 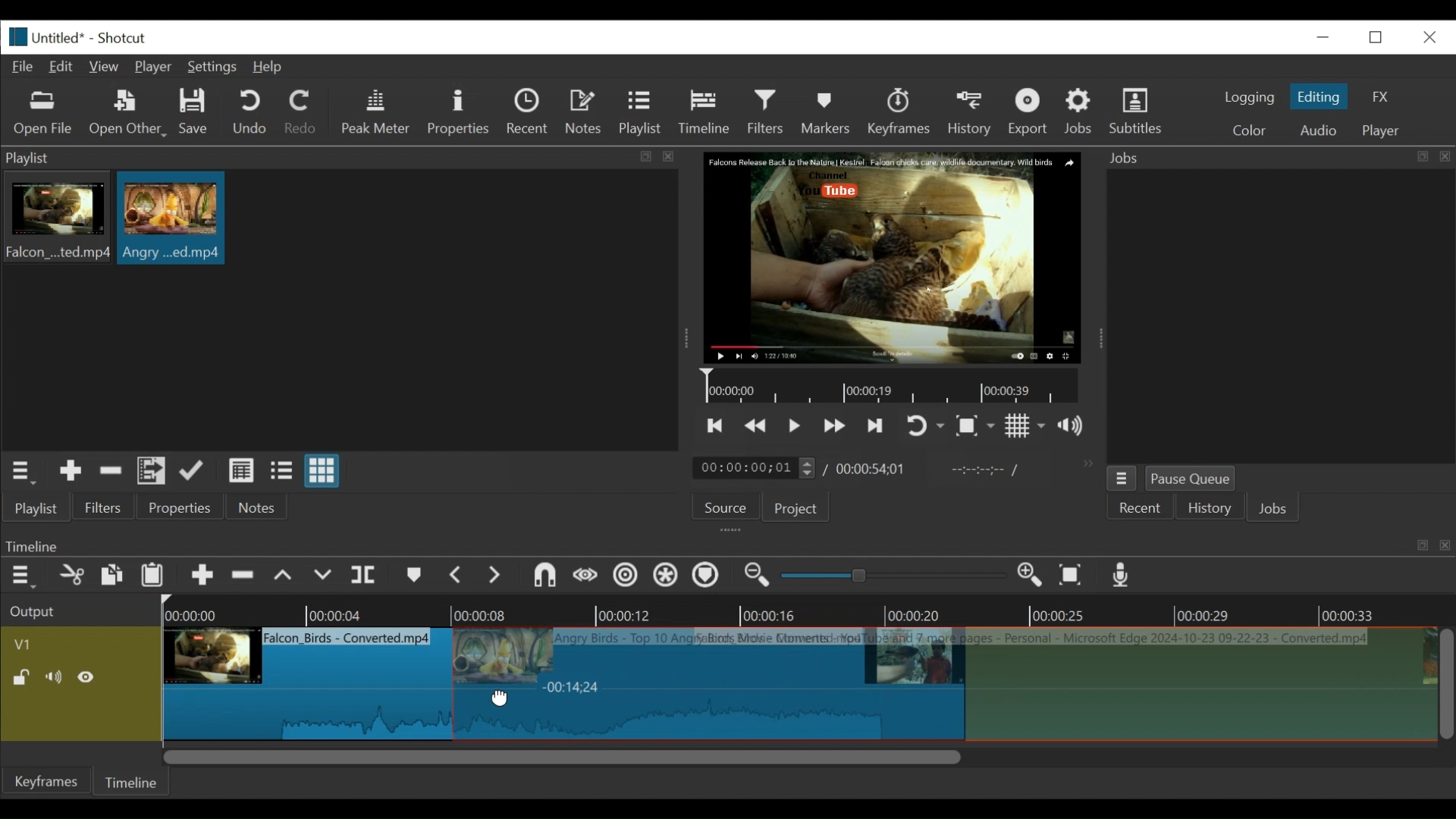 What do you see at coordinates (1269, 156) in the screenshot?
I see `Jobs menu` at bounding box center [1269, 156].